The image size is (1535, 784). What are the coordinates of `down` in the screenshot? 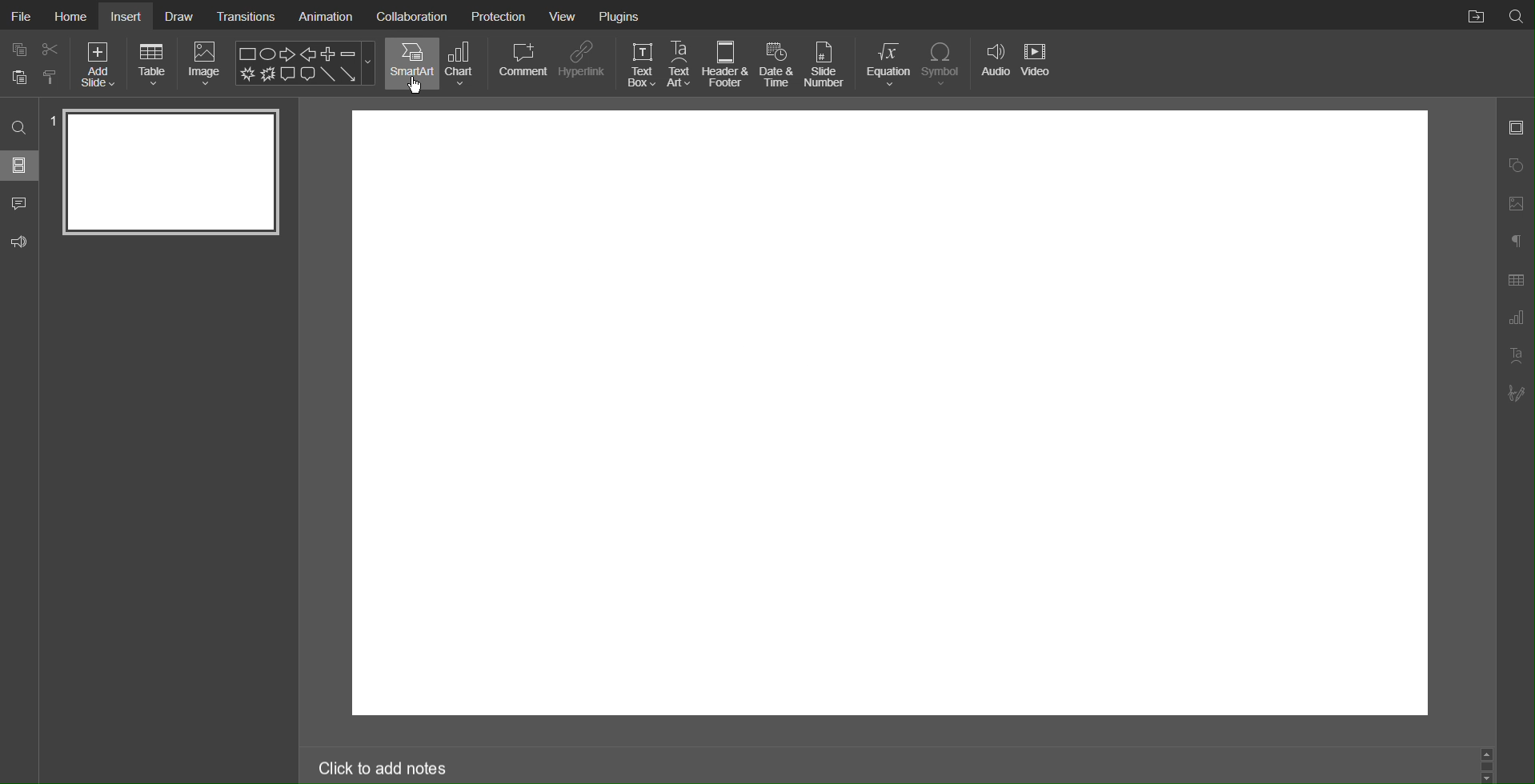 It's located at (1488, 776).